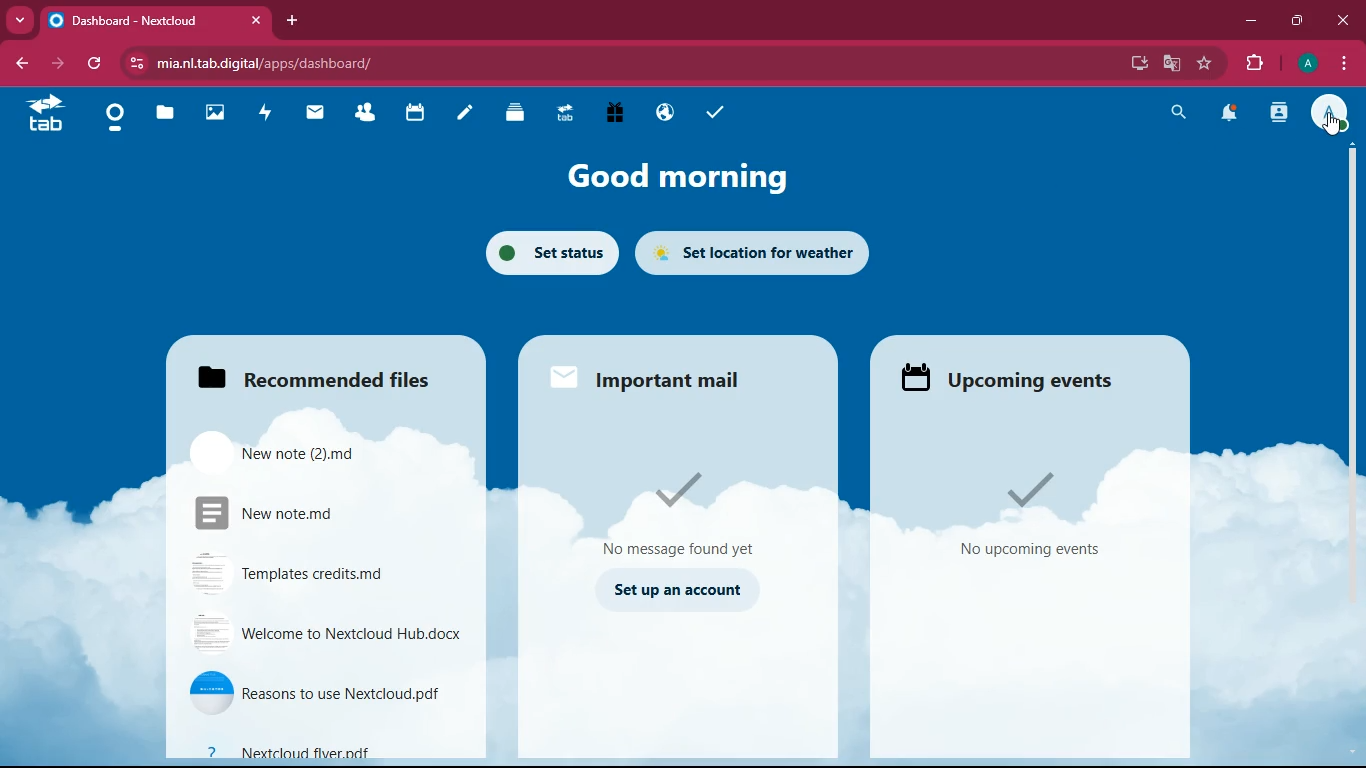  I want to click on file, so click(324, 636).